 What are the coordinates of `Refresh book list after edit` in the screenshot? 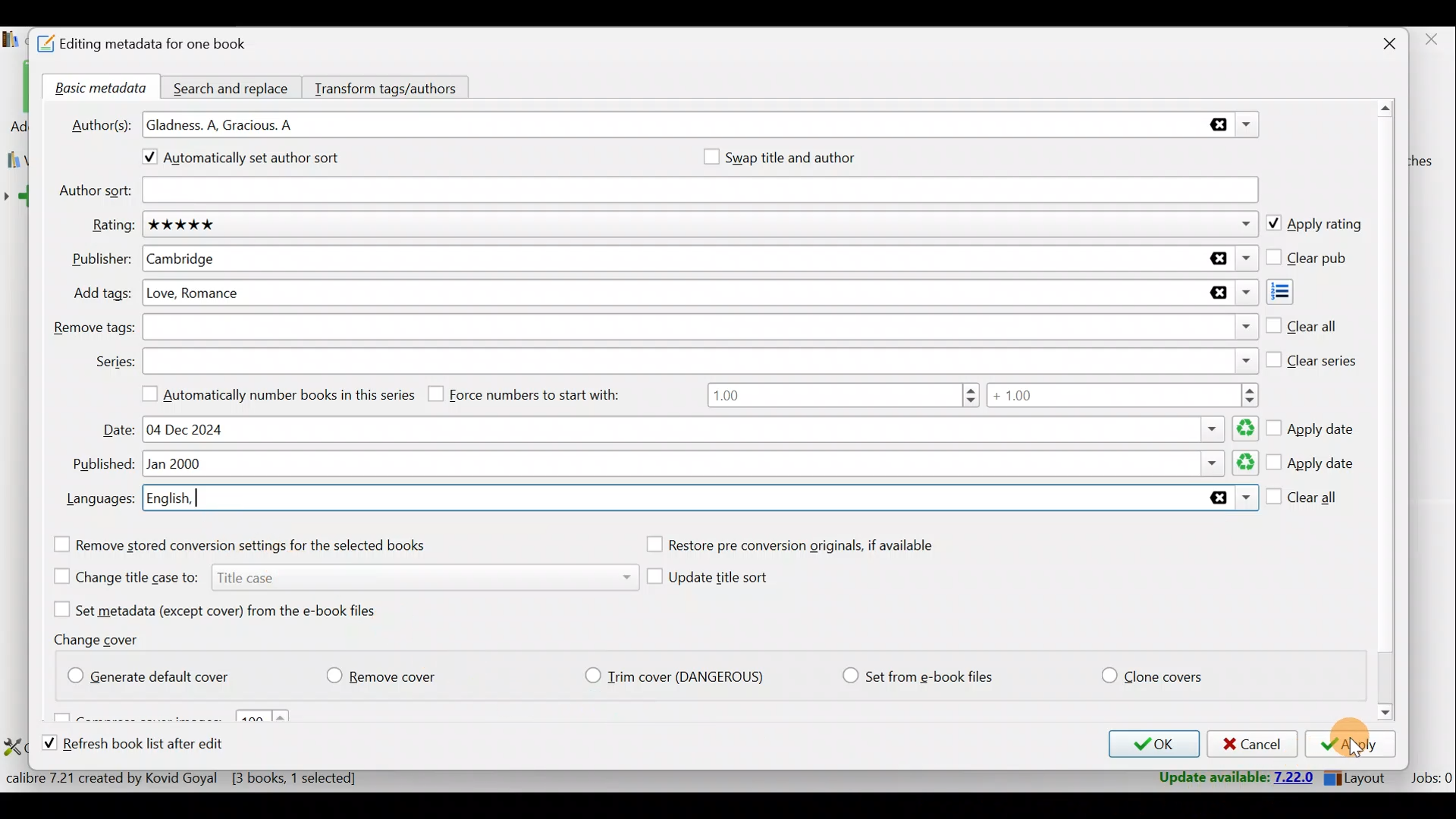 It's located at (147, 745).